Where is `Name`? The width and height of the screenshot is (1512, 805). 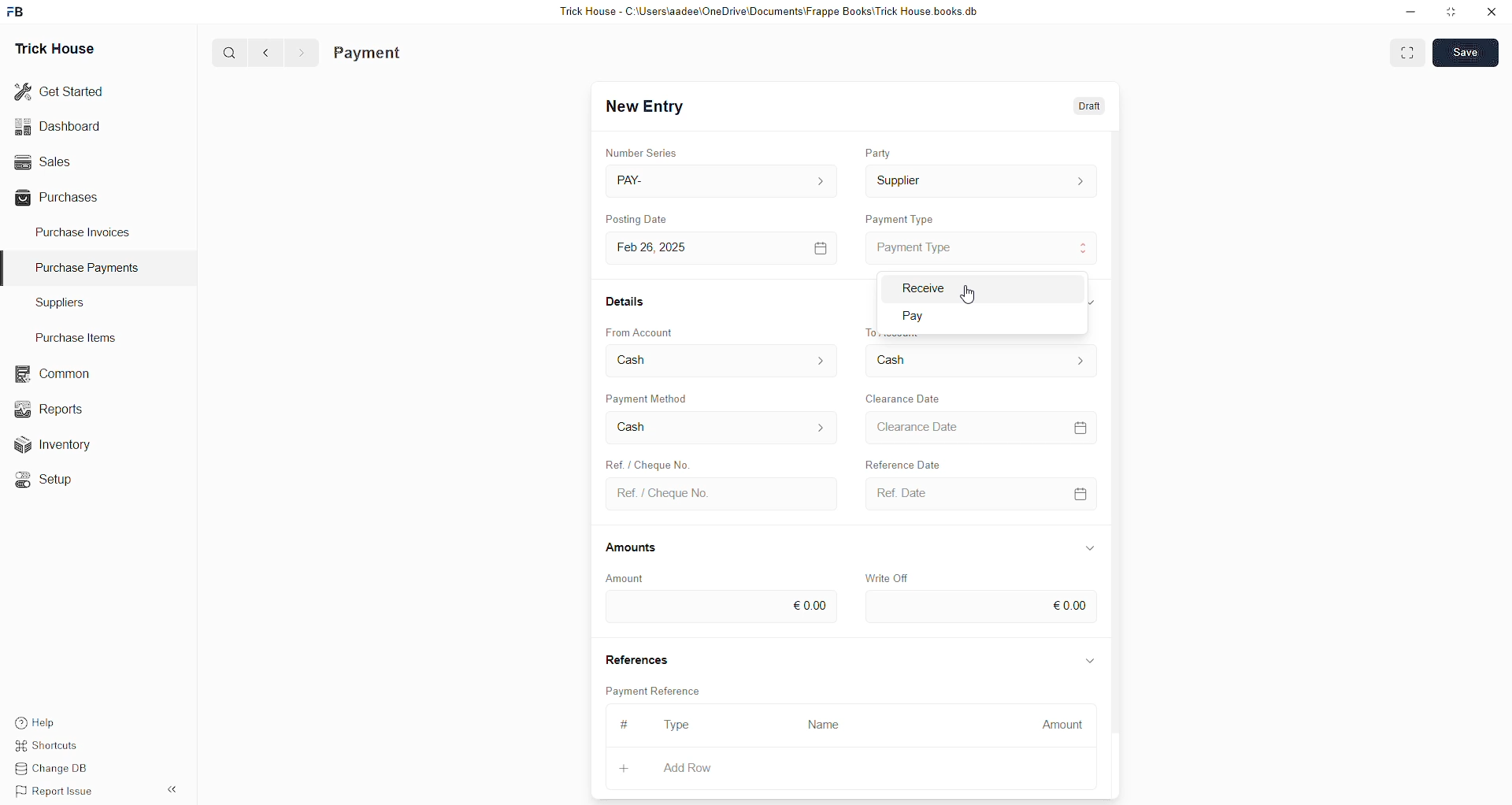 Name is located at coordinates (824, 725).